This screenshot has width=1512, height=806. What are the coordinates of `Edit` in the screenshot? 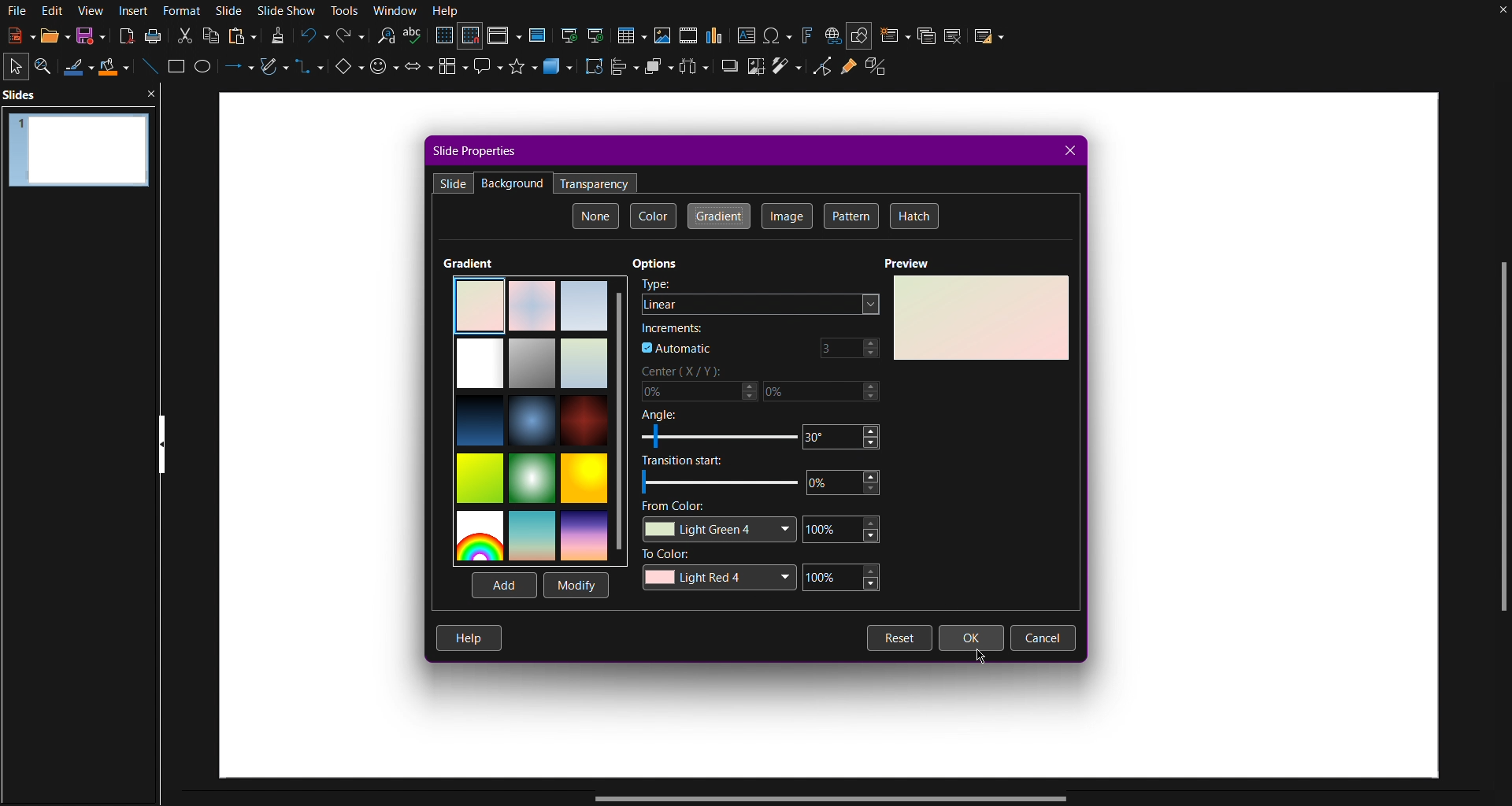 It's located at (53, 11).